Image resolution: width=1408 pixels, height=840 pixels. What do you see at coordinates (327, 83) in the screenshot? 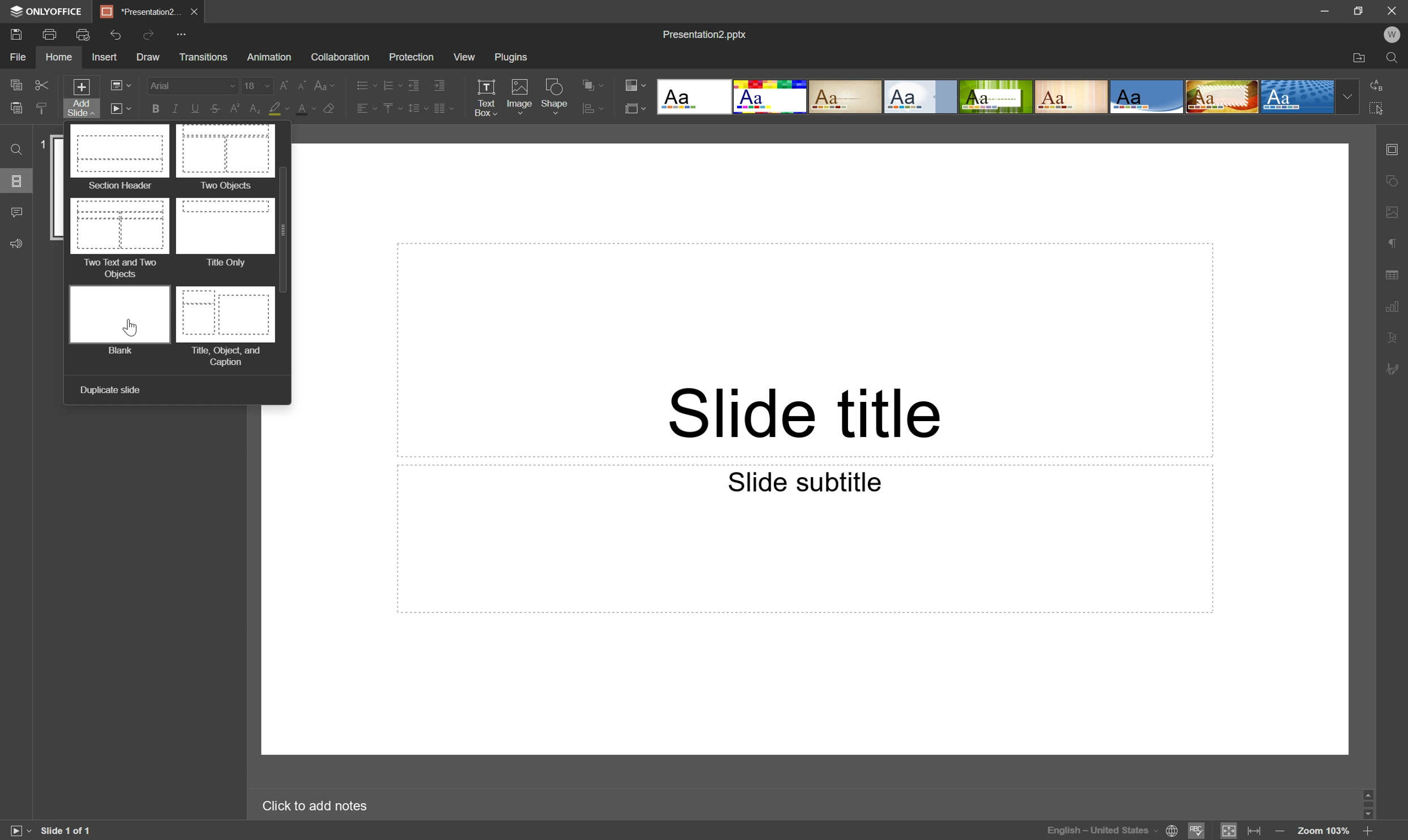
I see `Change case` at bounding box center [327, 83].